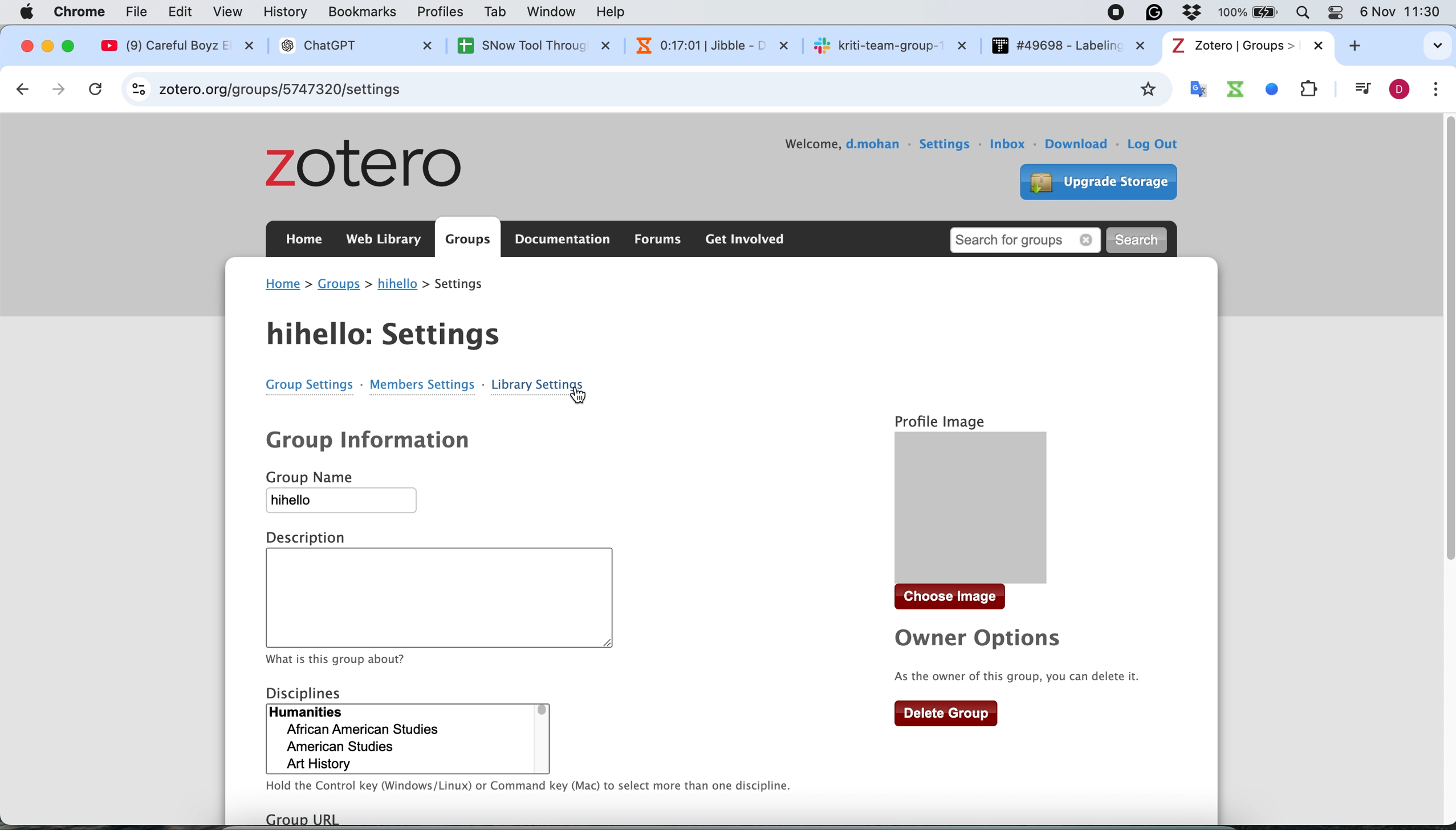 The height and width of the screenshot is (830, 1456). I want to click on go back, so click(21, 88).